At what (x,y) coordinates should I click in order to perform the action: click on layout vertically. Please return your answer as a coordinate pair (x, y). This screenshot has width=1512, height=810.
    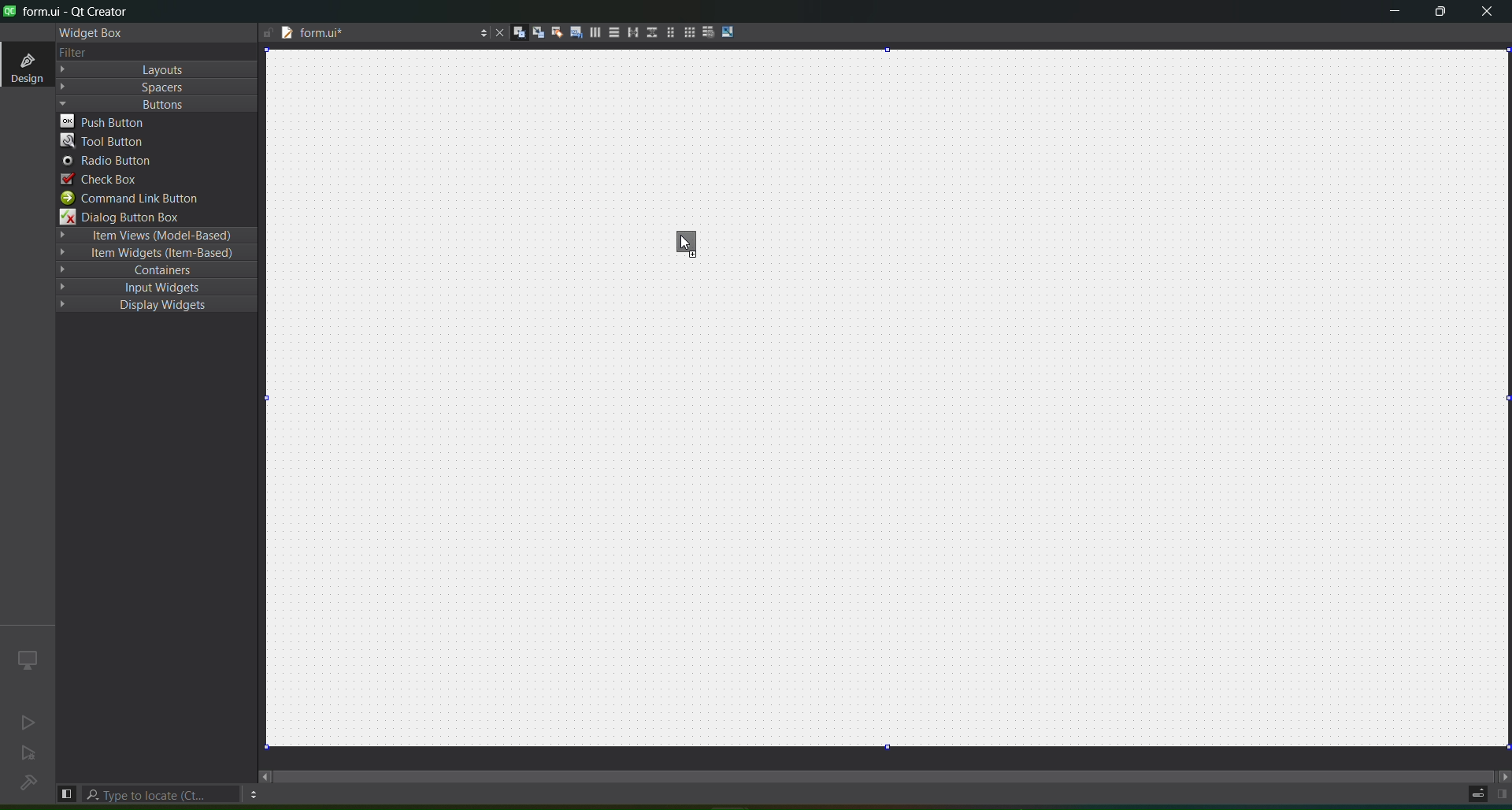
    Looking at the image, I should click on (612, 34).